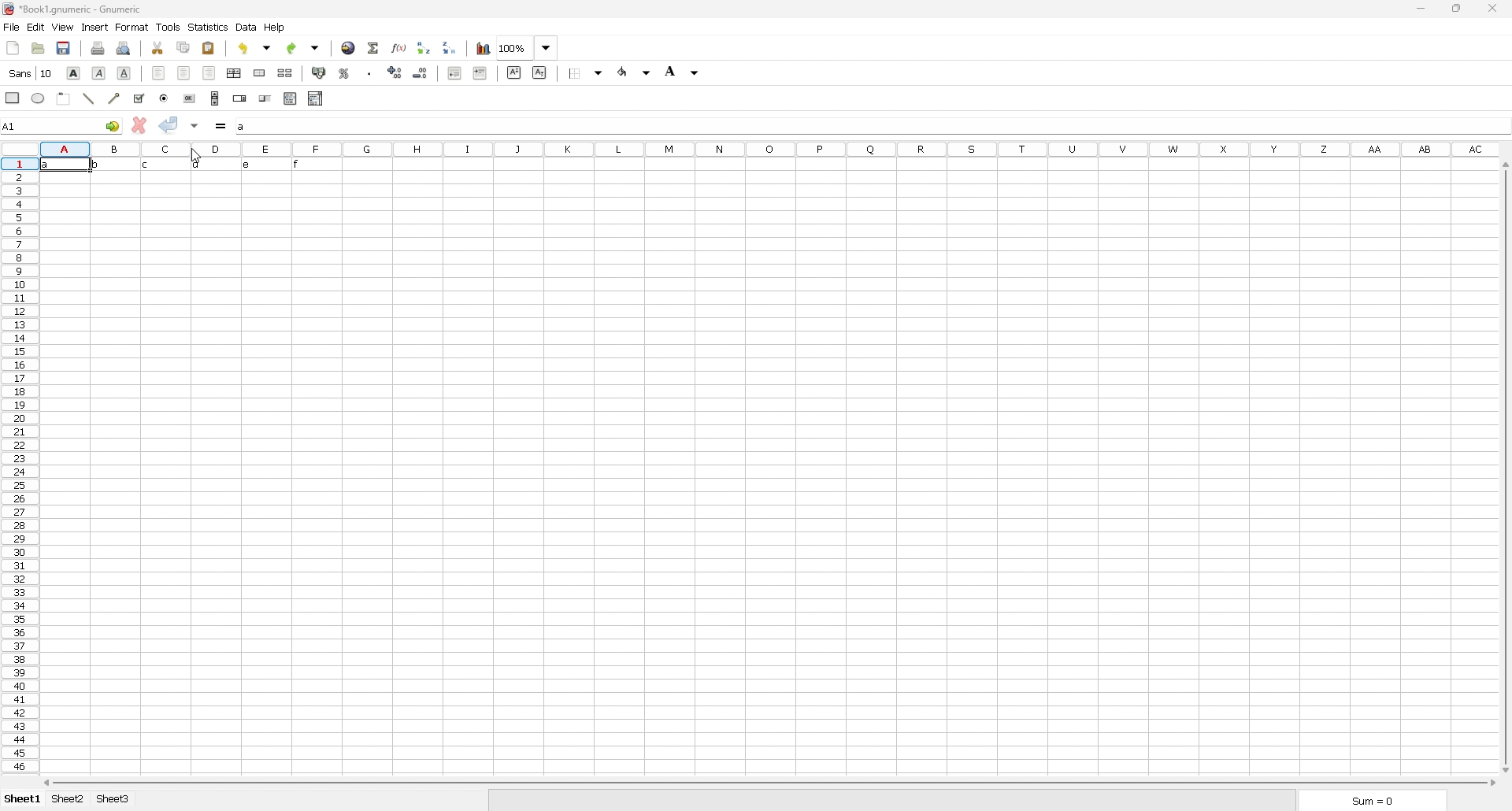 The width and height of the screenshot is (1512, 811). I want to click on subscript, so click(539, 72).